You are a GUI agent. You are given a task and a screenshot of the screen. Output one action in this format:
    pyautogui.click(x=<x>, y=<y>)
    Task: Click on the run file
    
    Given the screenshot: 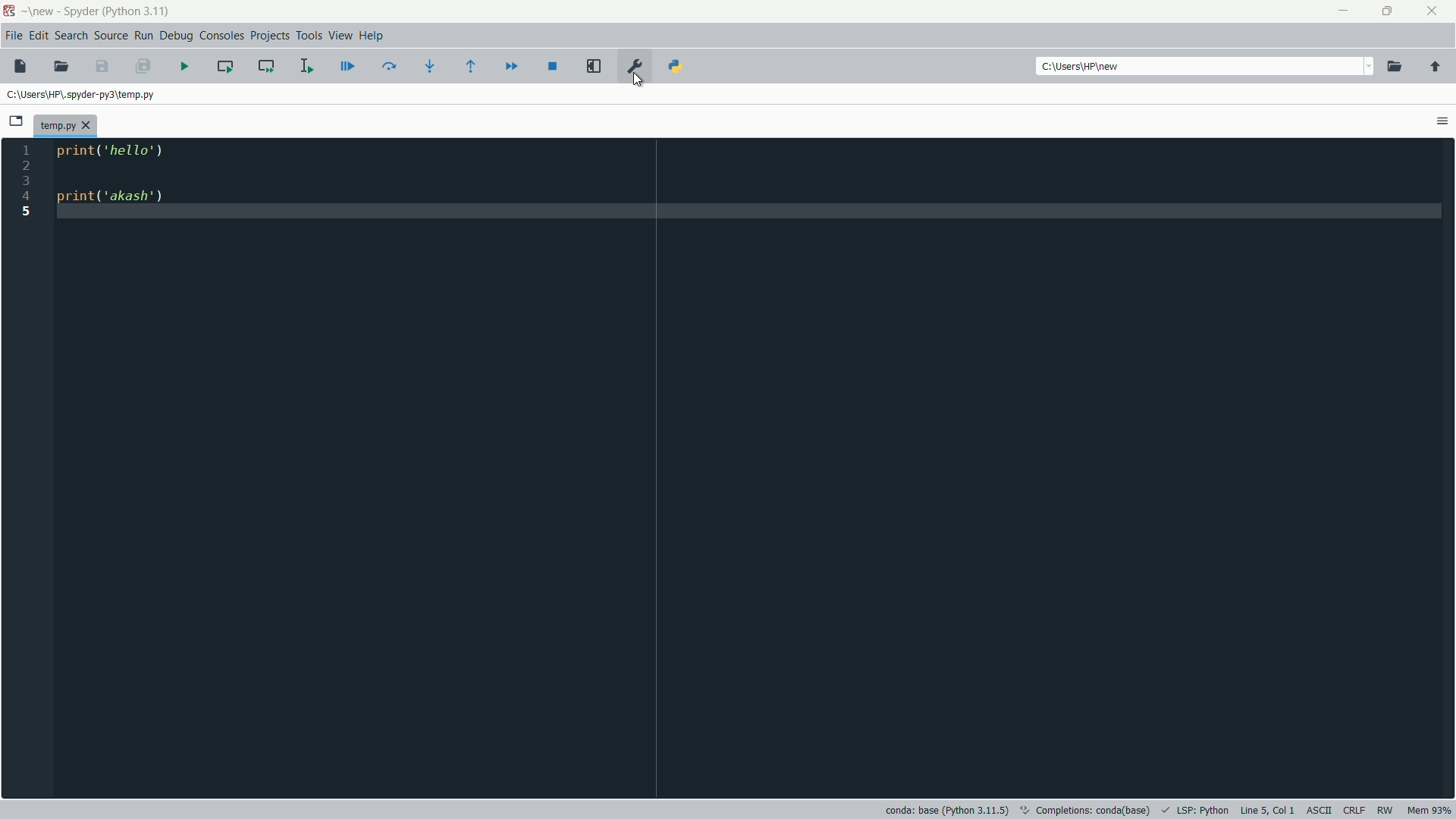 What is the action you would take?
    pyautogui.click(x=186, y=66)
    